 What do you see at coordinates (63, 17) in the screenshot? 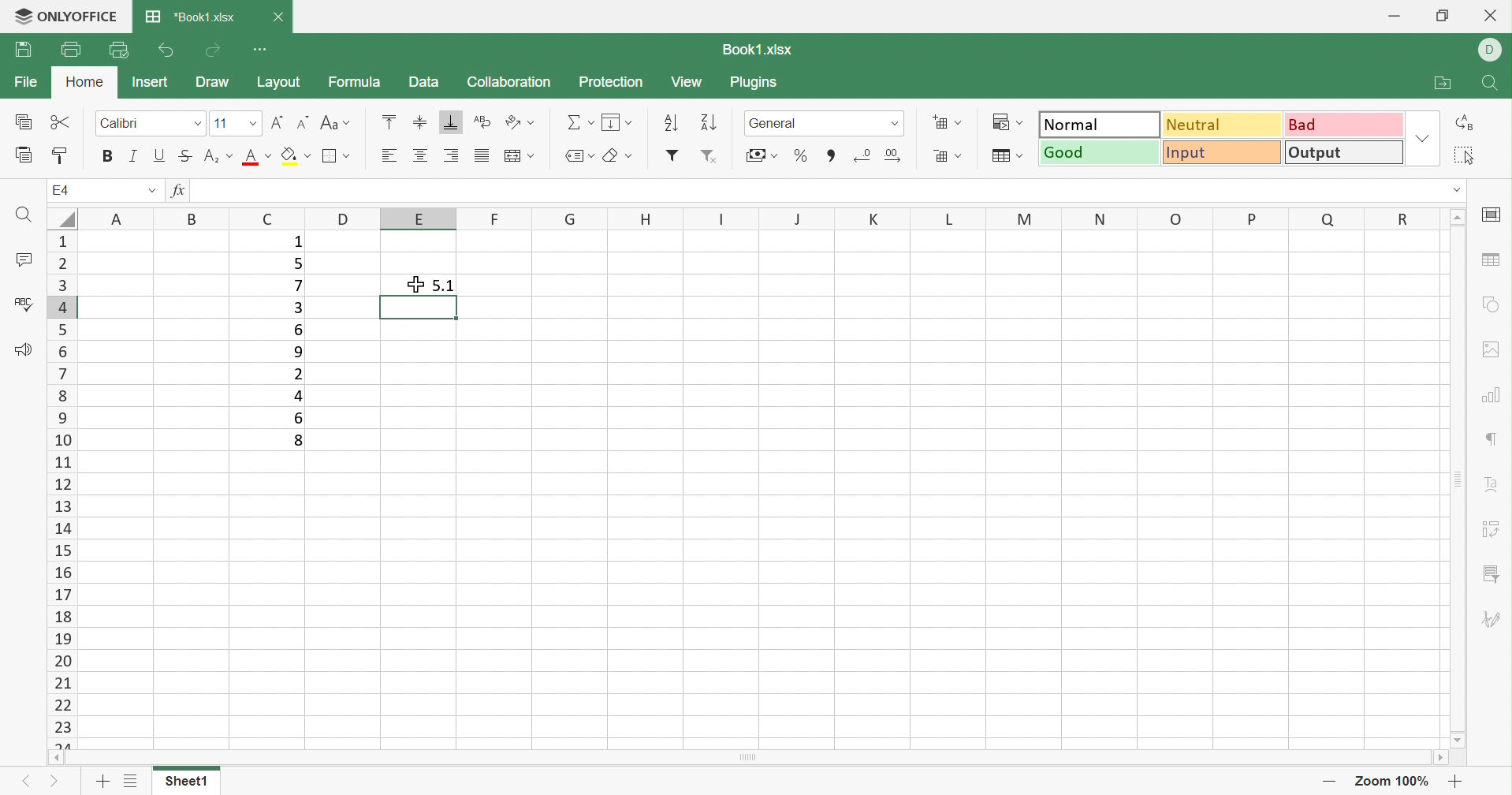
I see `ONLYOFFICE` at bounding box center [63, 17].